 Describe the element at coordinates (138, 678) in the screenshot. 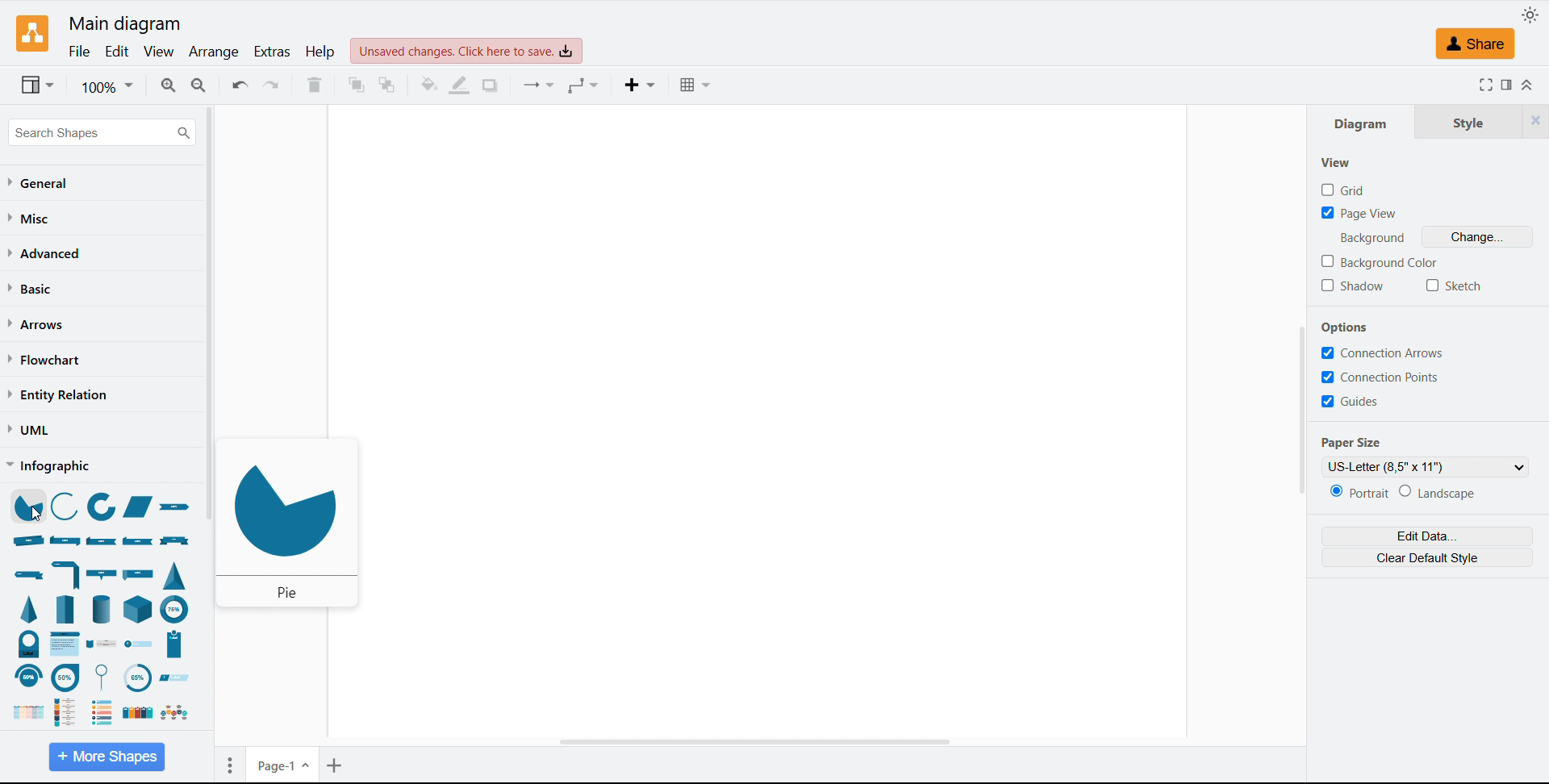

I see `circular dial` at that location.